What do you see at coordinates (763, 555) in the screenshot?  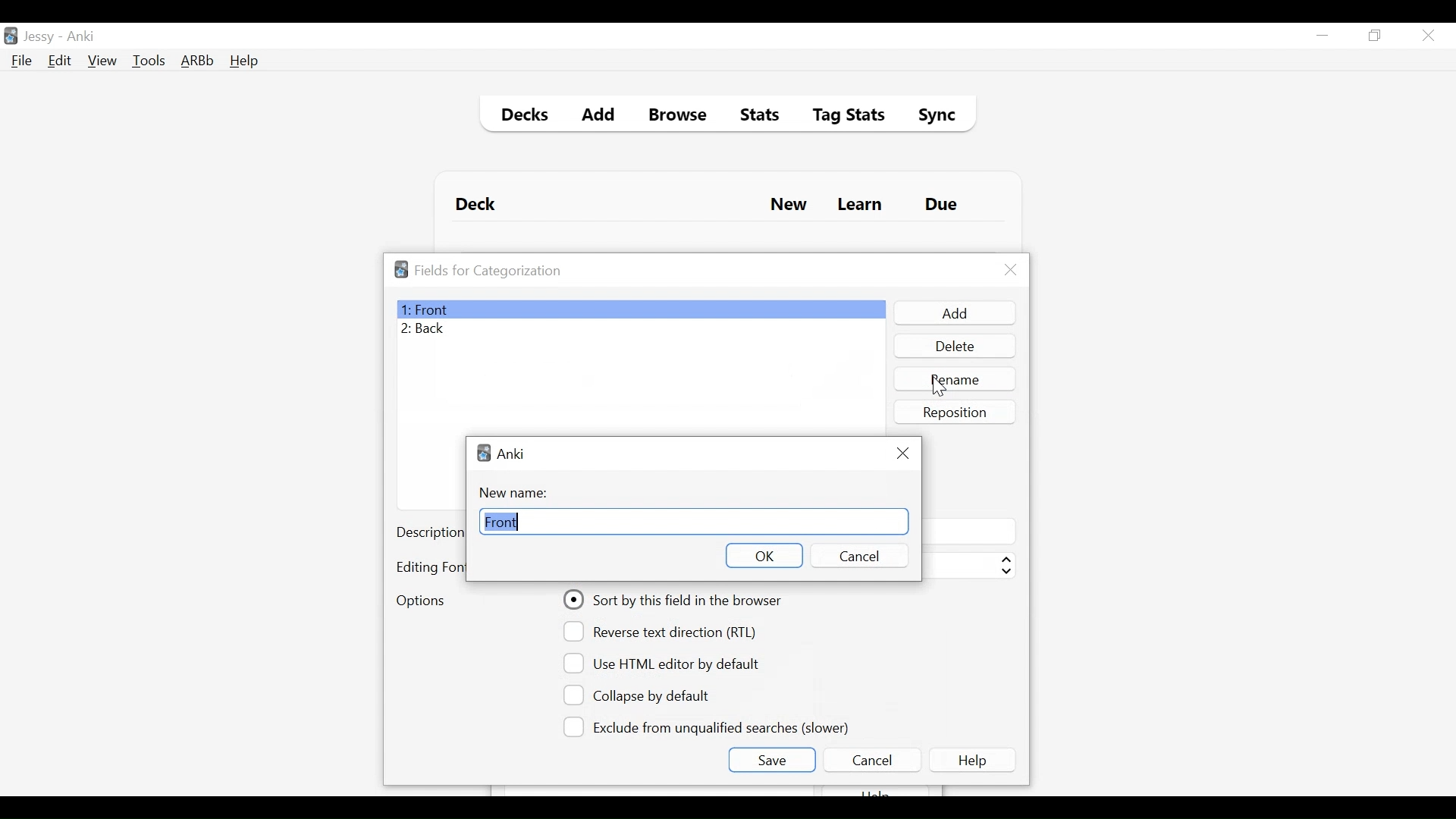 I see `OK` at bounding box center [763, 555].